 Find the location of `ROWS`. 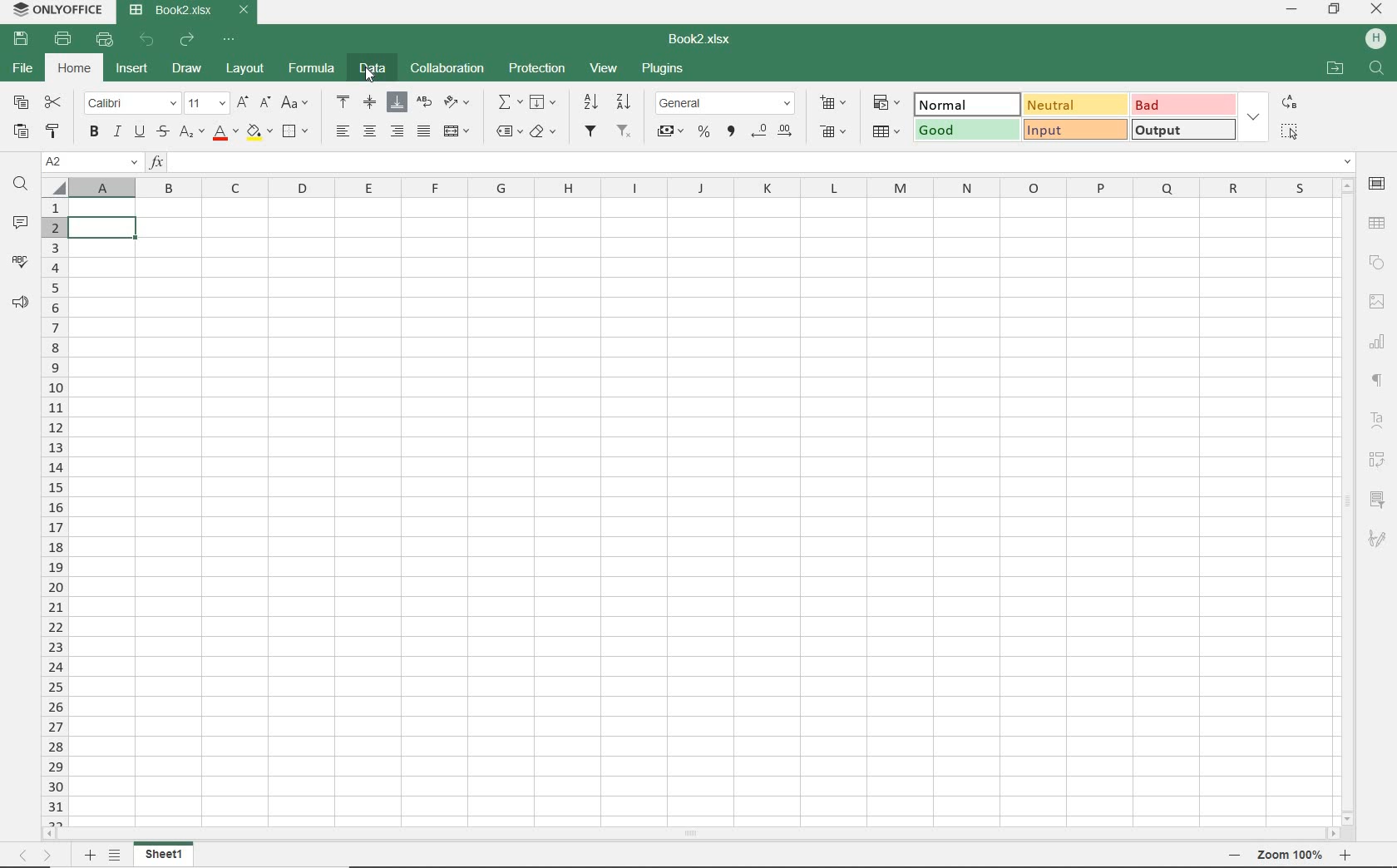

ROWS is located at coordinates (53, 508).